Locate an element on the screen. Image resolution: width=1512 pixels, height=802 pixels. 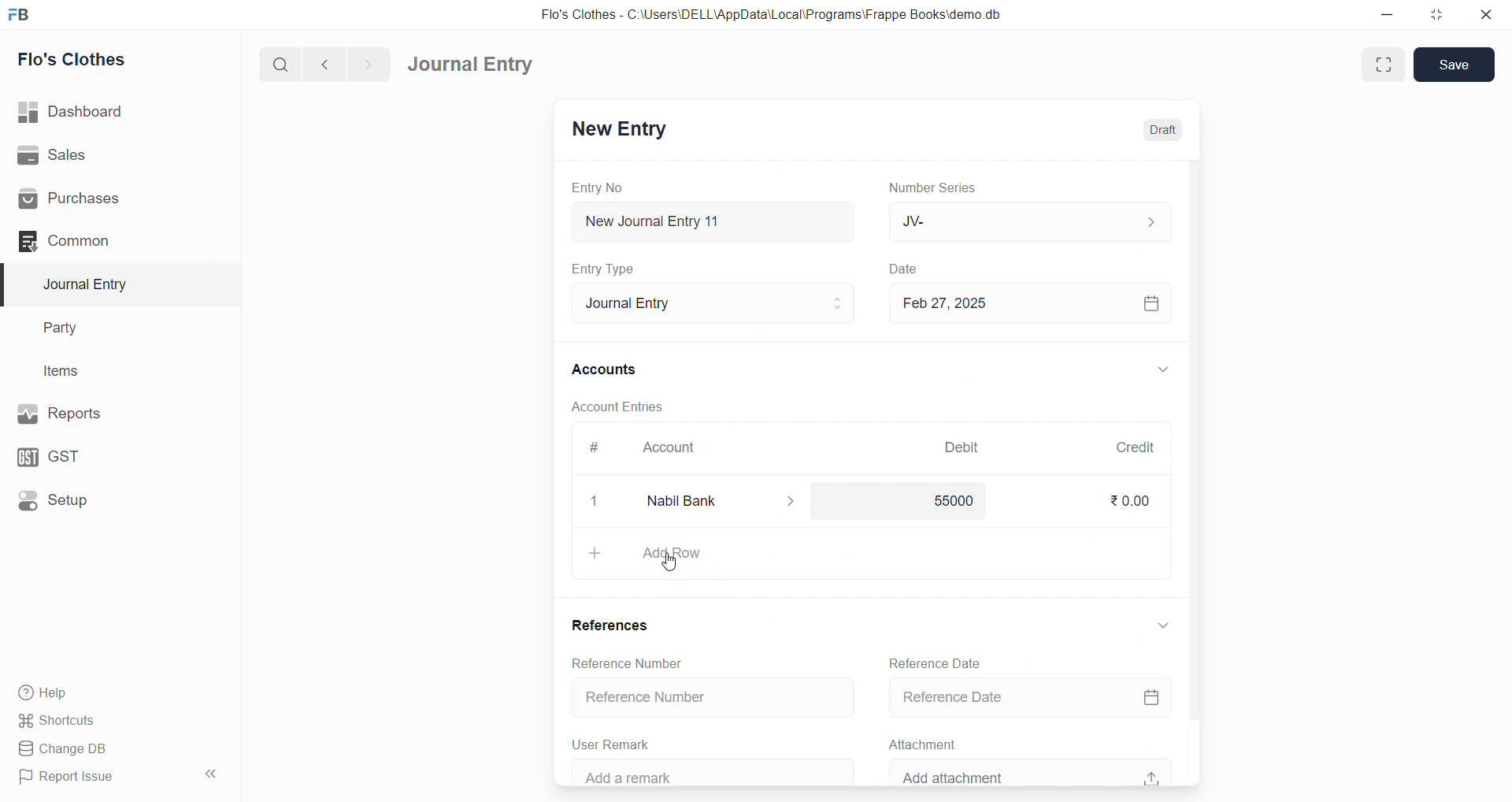
selected is located at coordinates (9, 284).